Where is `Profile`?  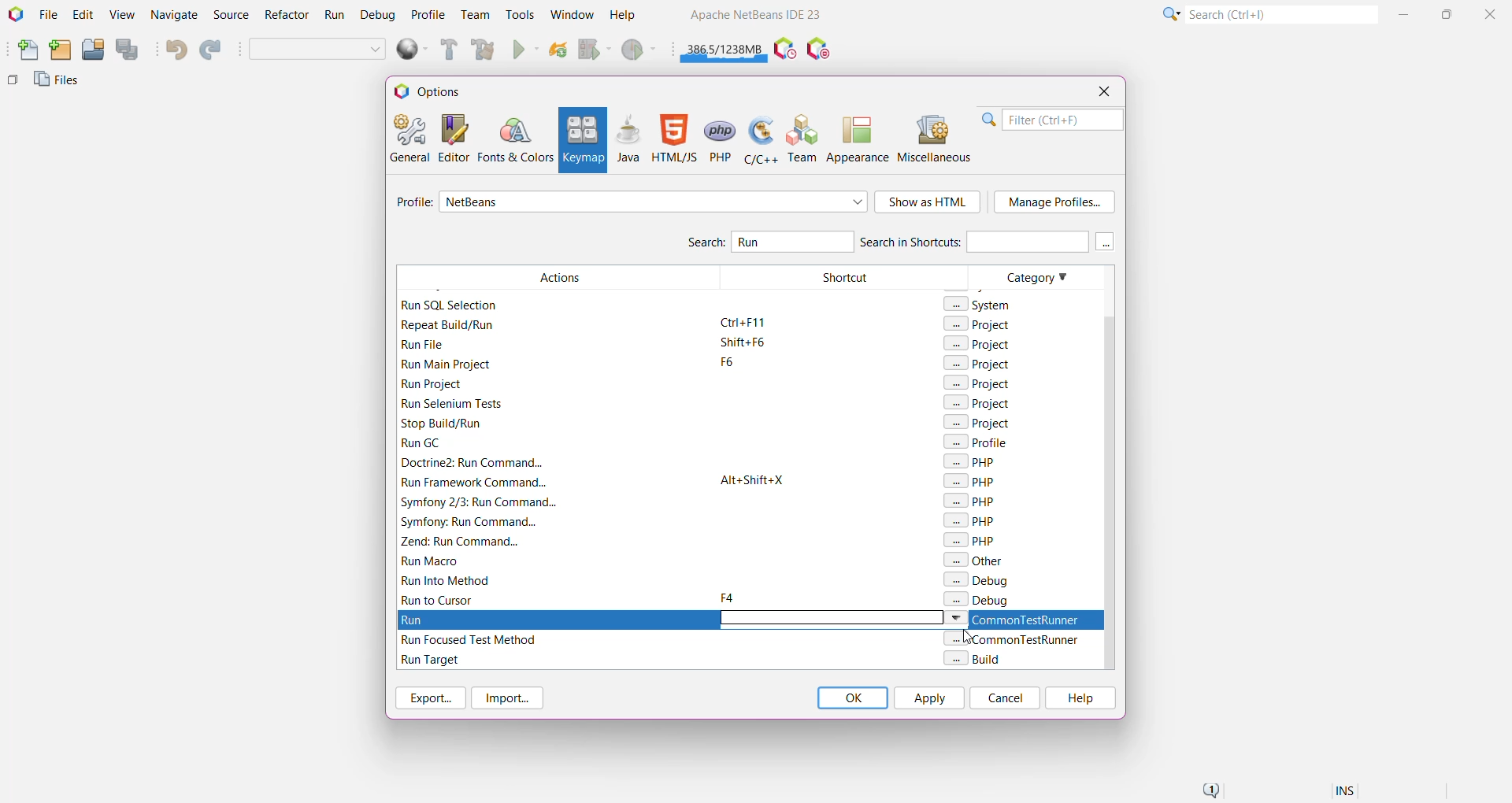
Profile is located at coordinates (412, 204).